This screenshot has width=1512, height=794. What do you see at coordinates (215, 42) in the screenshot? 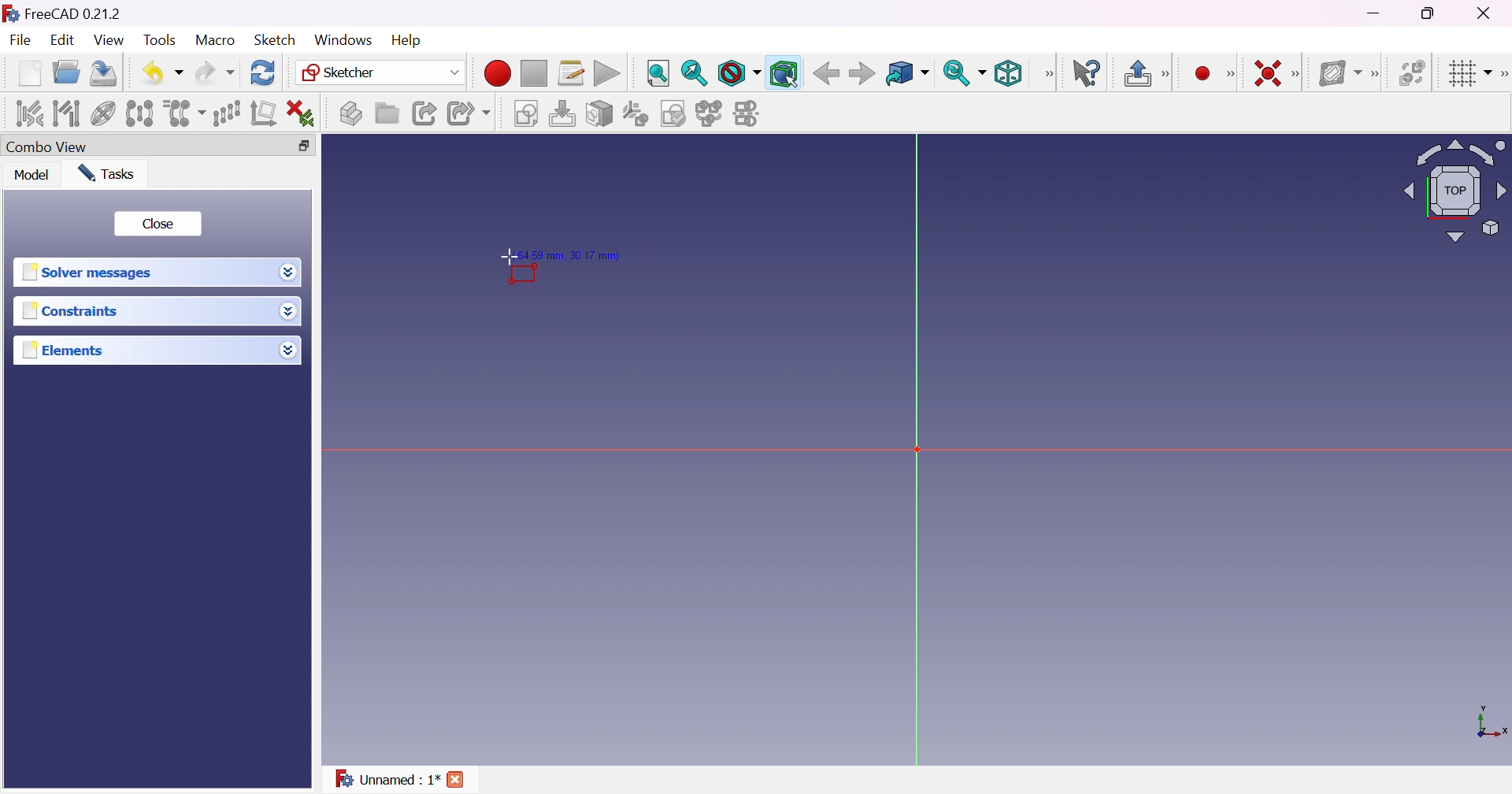
I see `Macro` at bounding box center [215, 42].